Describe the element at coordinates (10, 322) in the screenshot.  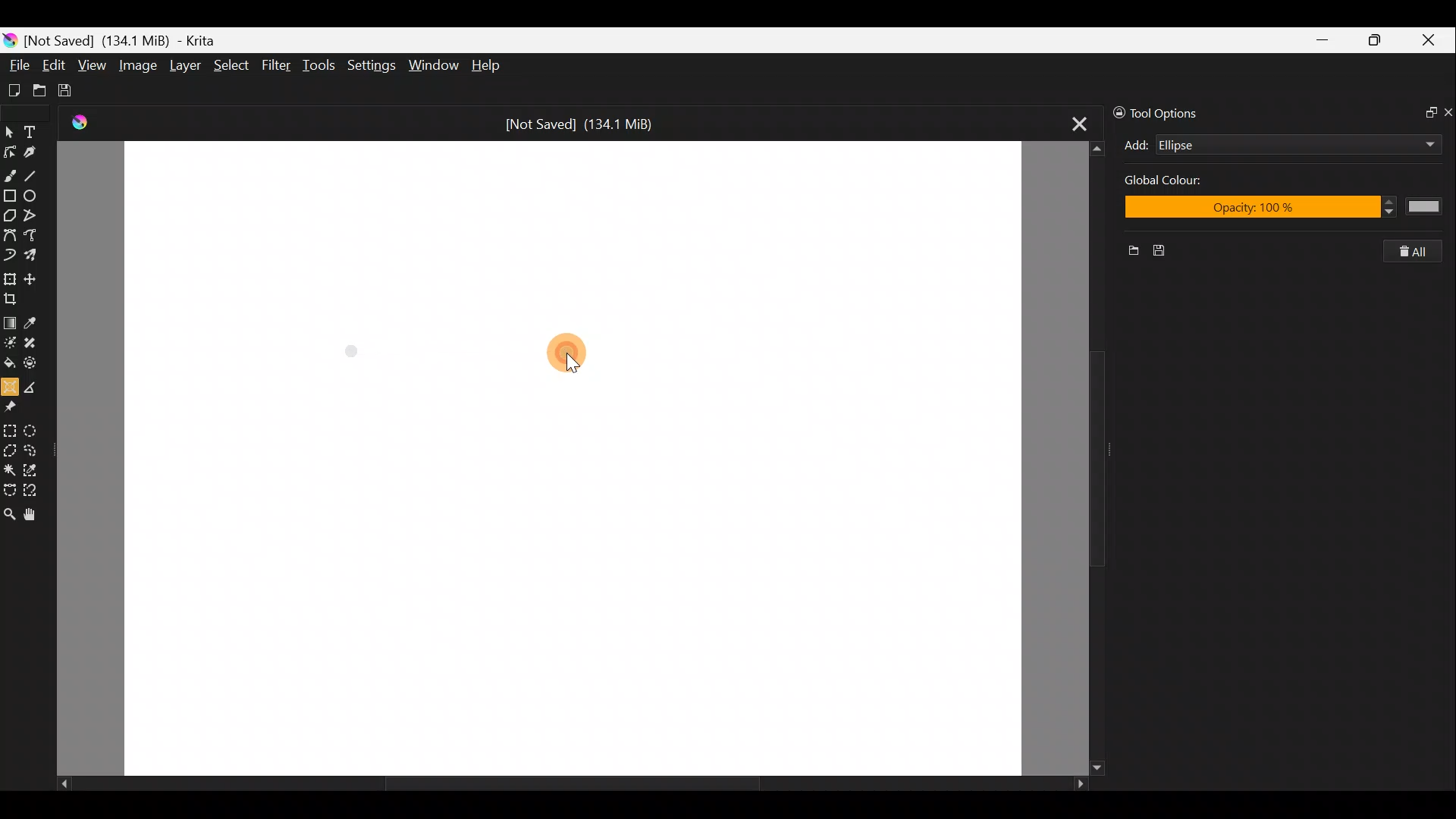
I see `Draw a gradient` at that location.